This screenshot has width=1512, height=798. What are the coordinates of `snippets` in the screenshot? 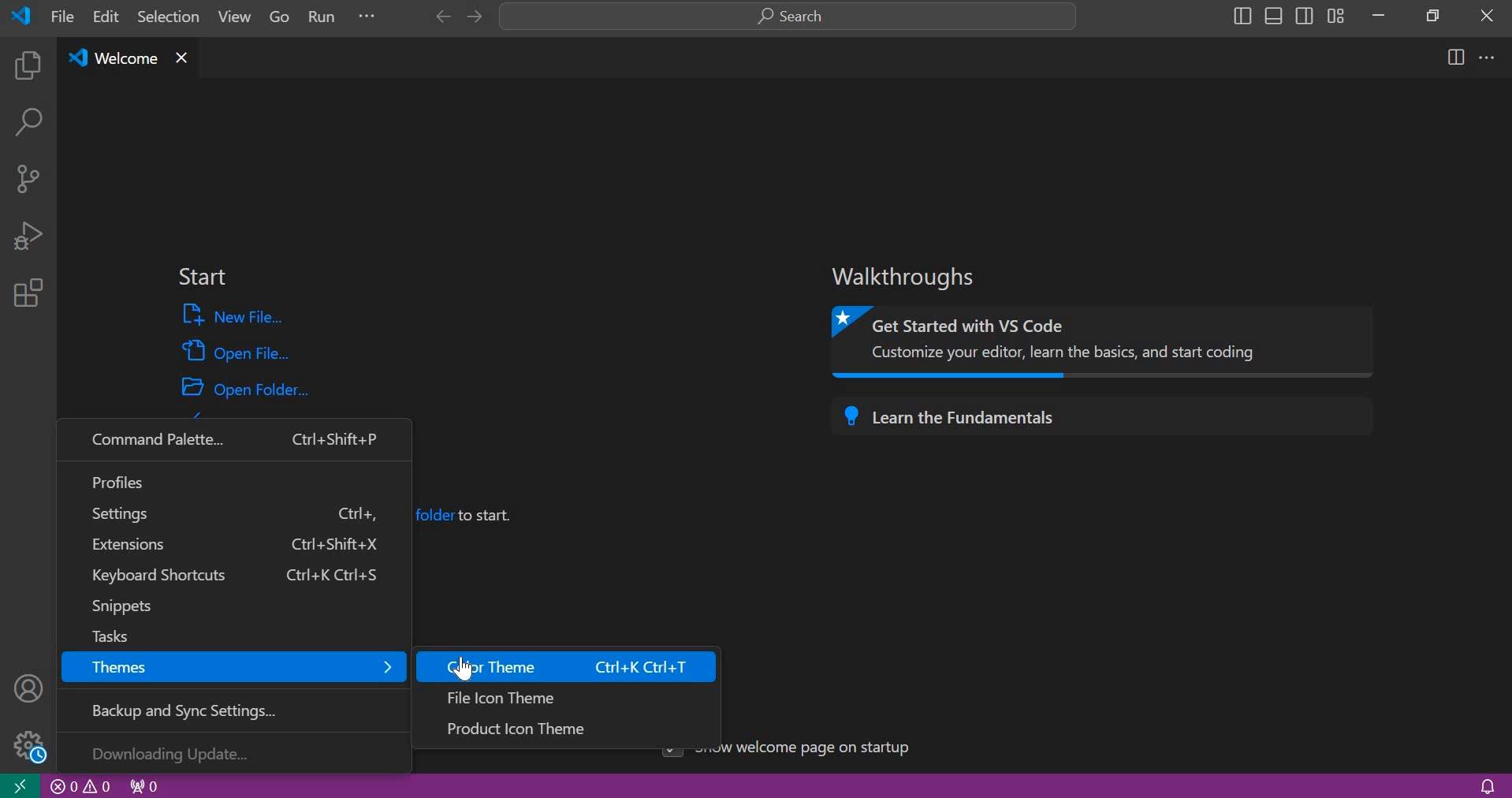 It's located at (229, 607).